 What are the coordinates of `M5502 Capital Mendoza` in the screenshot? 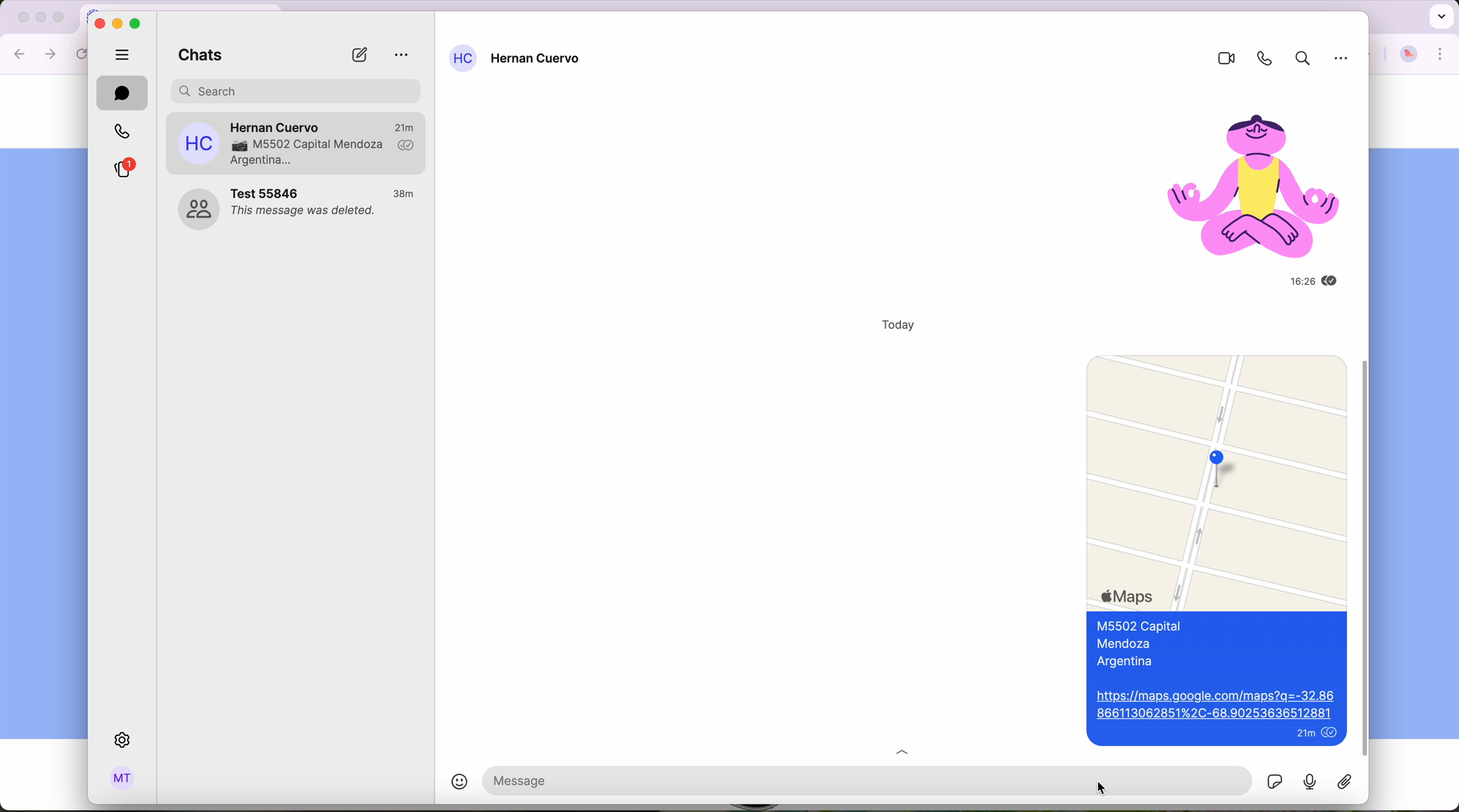 It's located at (321, 145).